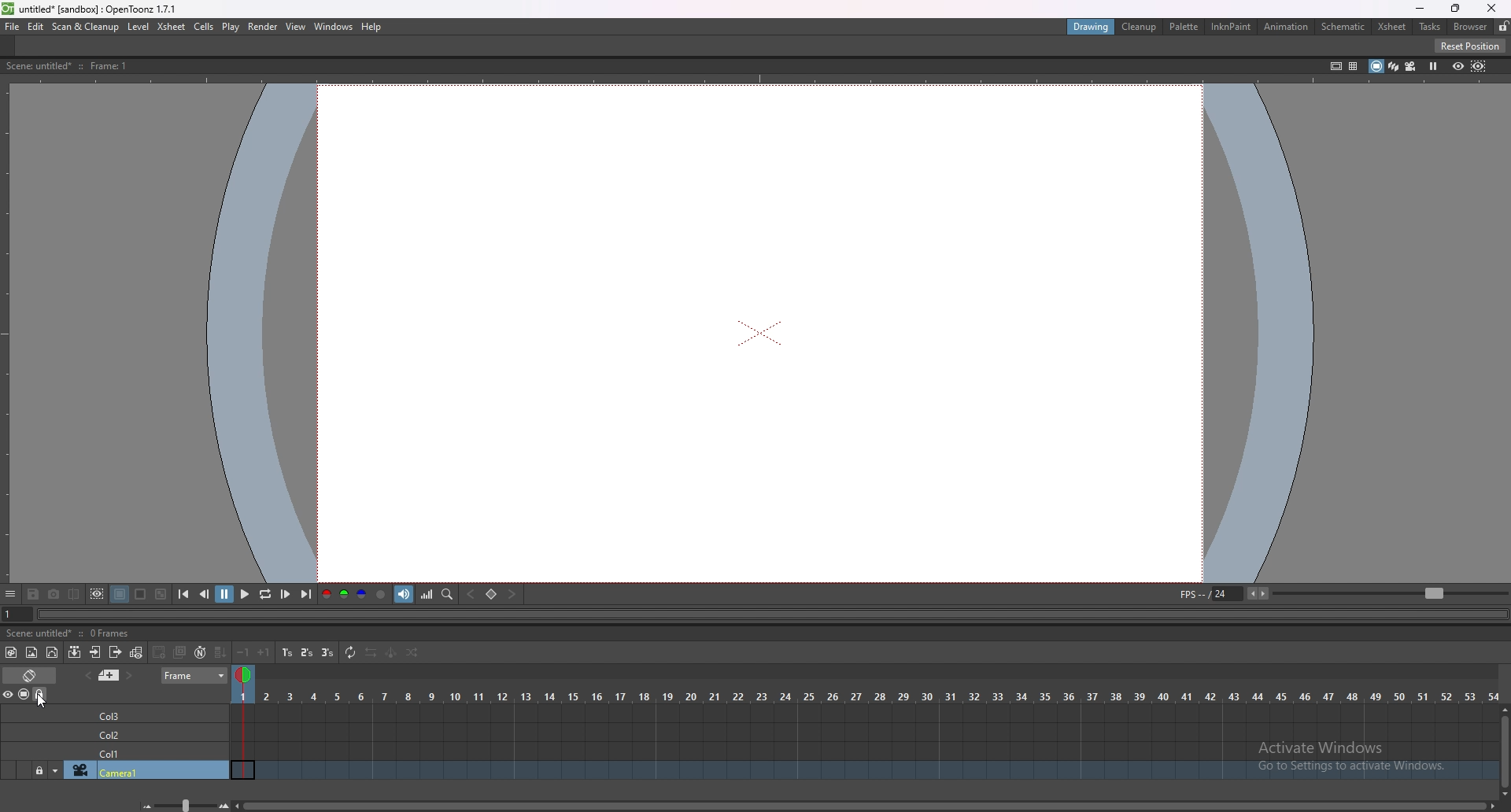 The height and width of the screenshot is (812, 1511). What do you see at coordinates (225, 594) in the screenshot?
I see `pause` at bounding box center [225, 594].